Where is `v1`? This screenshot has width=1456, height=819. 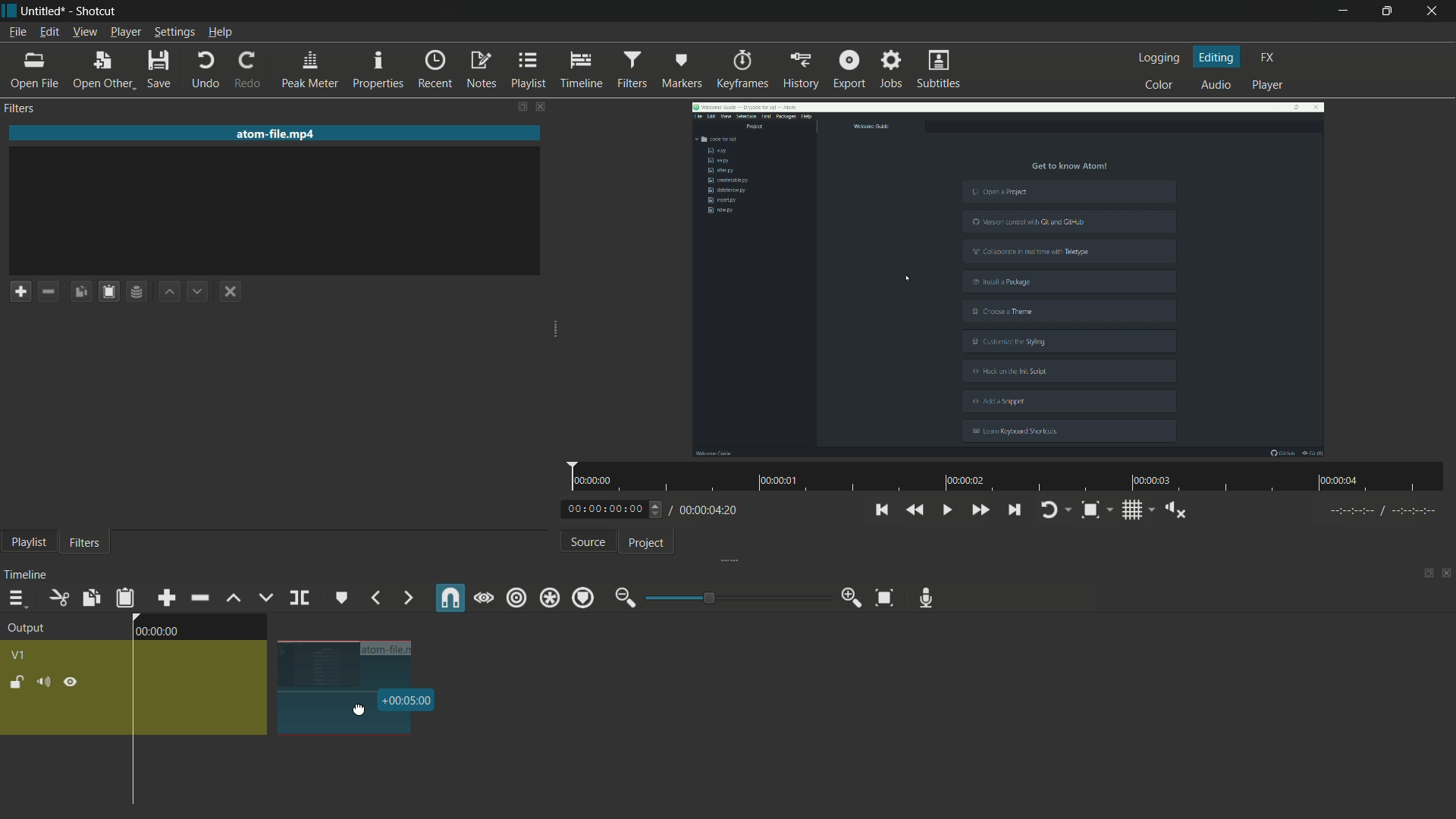 v1 is located at coordinates (22, 655).